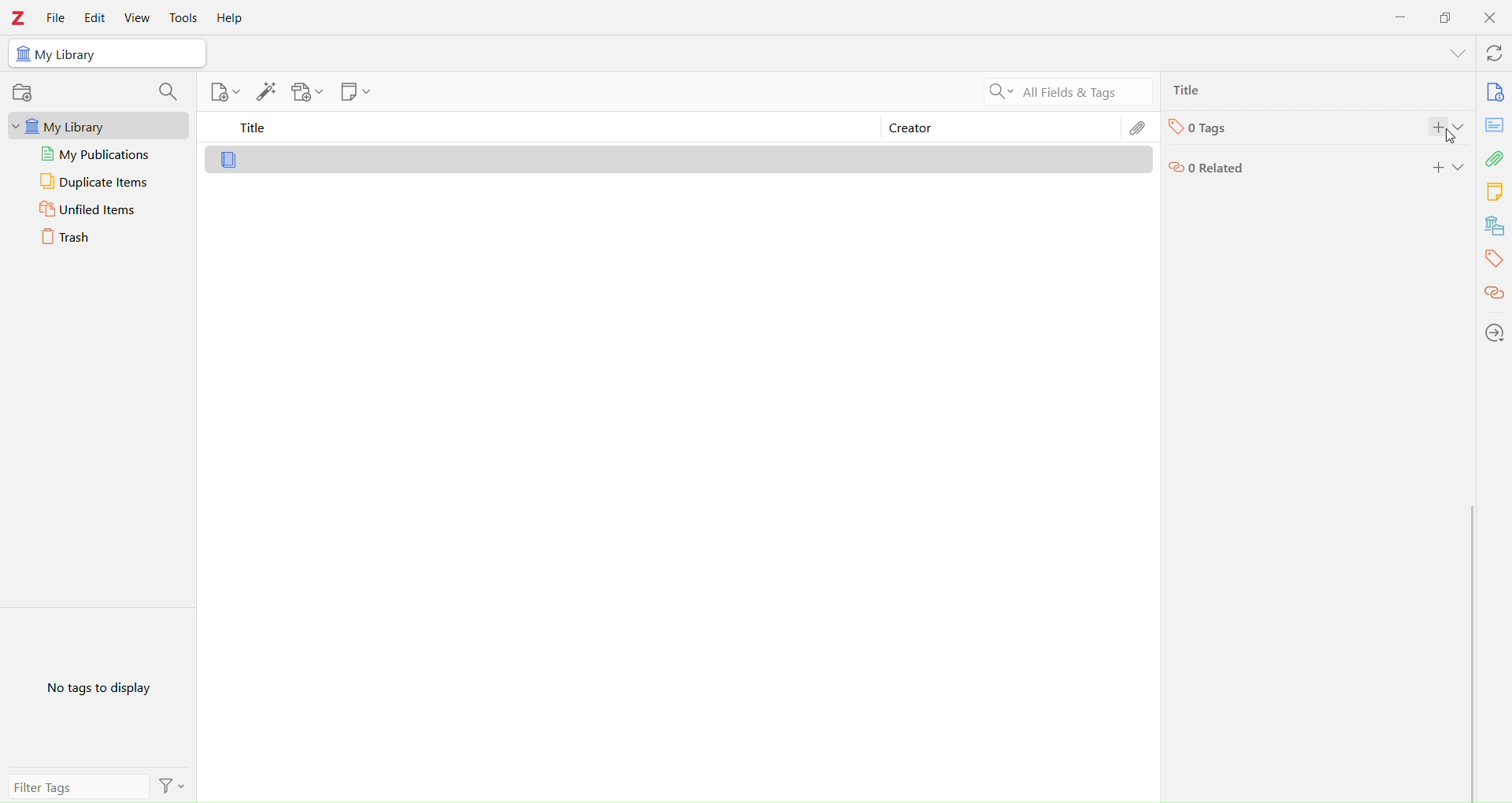 The height and width of the screenshot is (803, 1512). Describe the element at coordinates (1436, 128) in the screenshot. I see `` at that location.